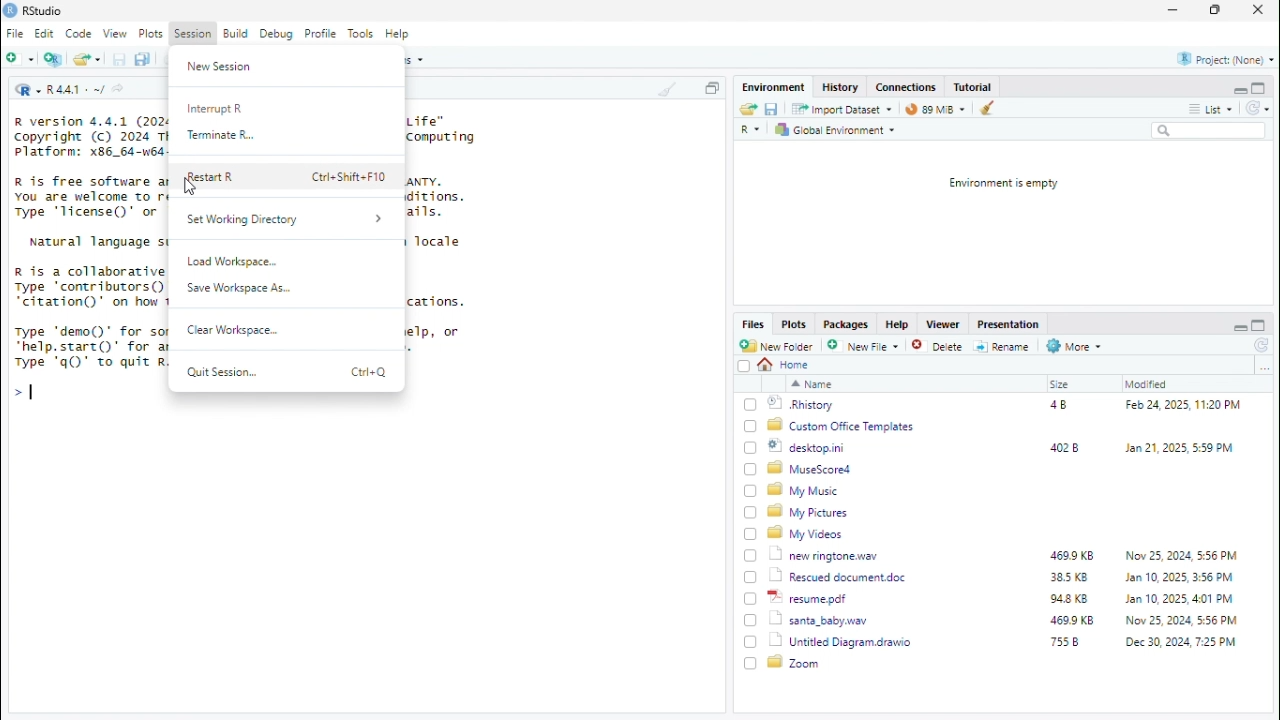 The height and width of the screenshot is (720, 1280). What do you see at coordinates (944, 323) in the screenshot?
I see `Viewer` at bounding box center [944, 323].